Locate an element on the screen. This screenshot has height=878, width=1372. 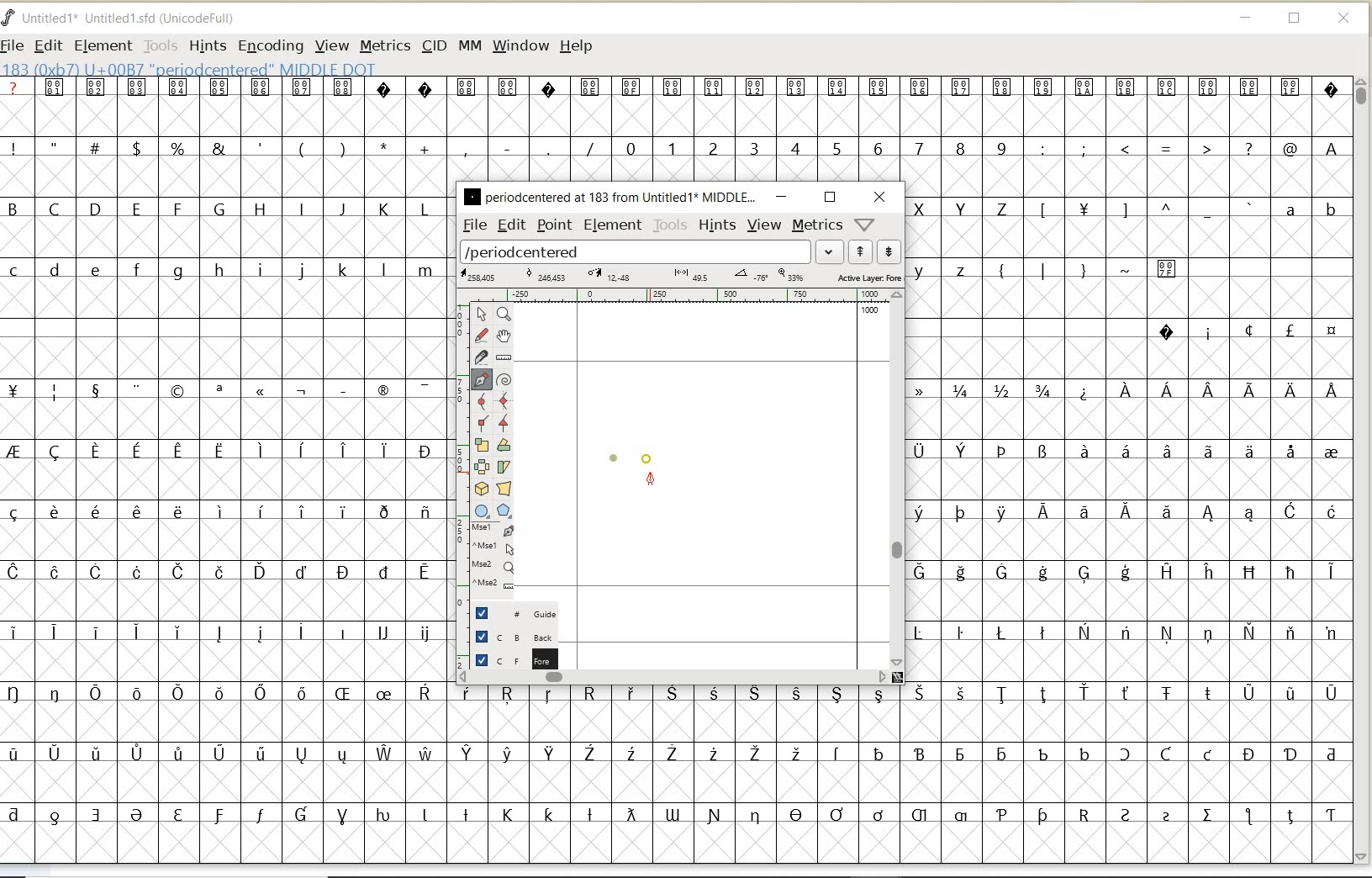
tools is located at coordinates (670, 225).